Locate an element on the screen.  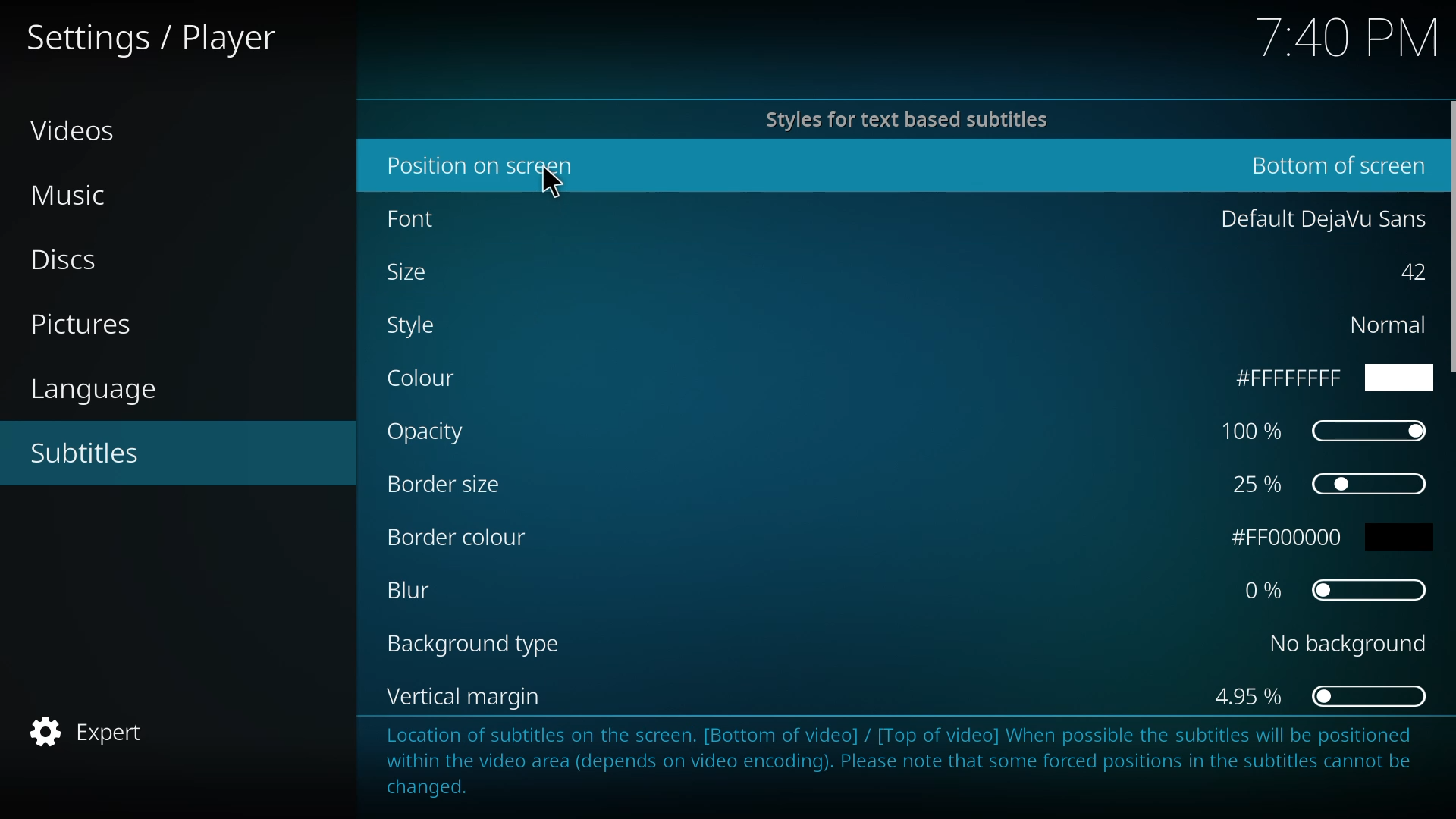
normal is located at coordinates (1384, 325).